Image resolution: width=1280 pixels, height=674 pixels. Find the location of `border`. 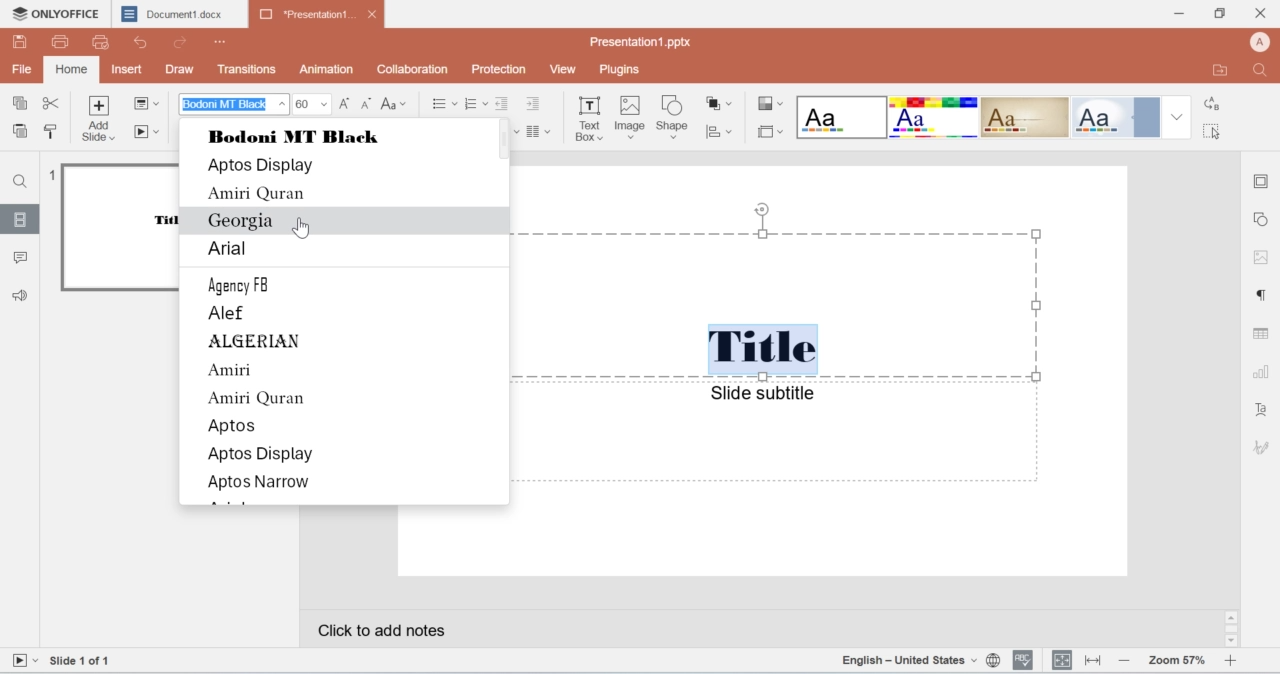

border is located at coordinates (767, 131).